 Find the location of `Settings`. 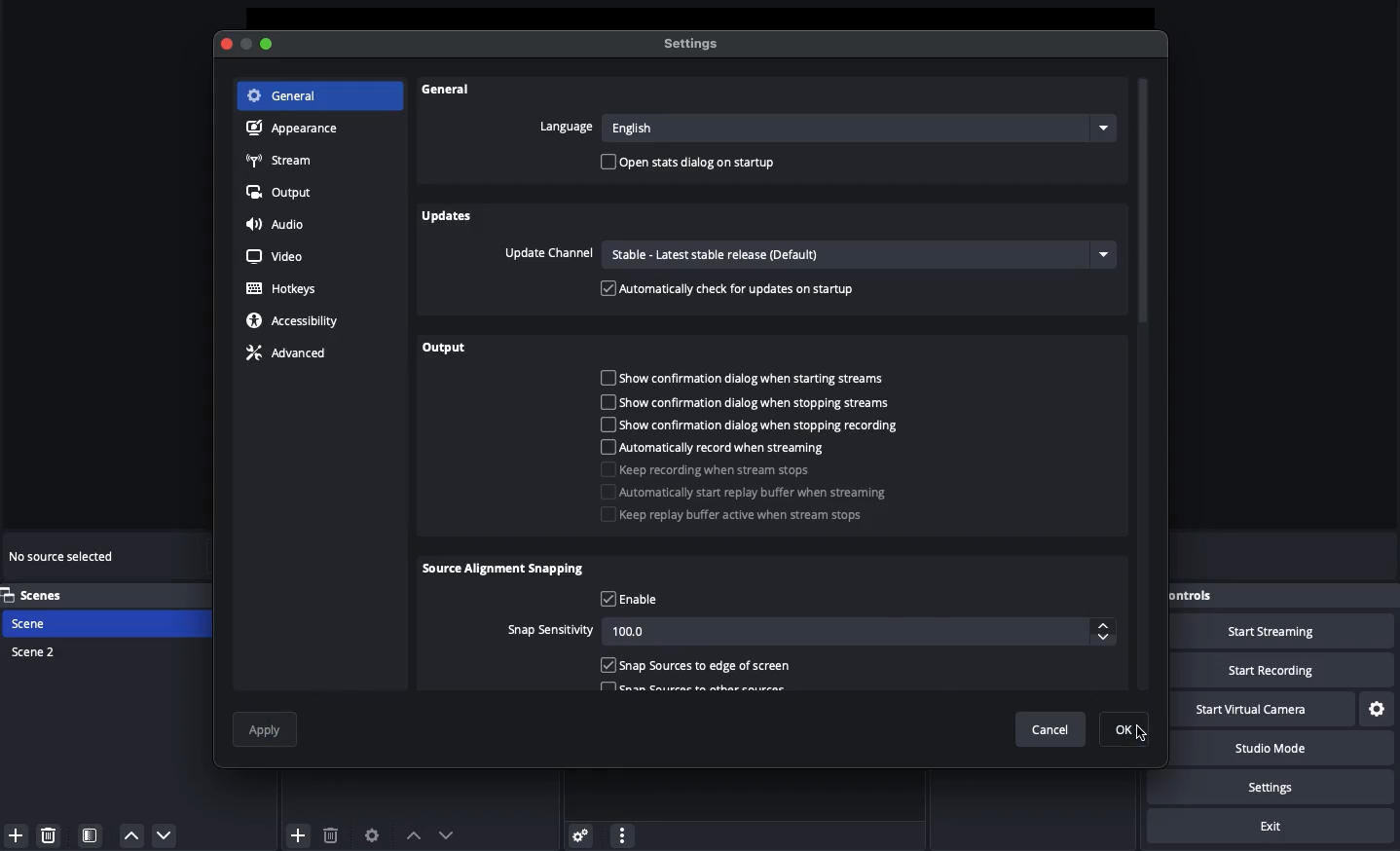

Settings is located at coordinates (1282, 787).